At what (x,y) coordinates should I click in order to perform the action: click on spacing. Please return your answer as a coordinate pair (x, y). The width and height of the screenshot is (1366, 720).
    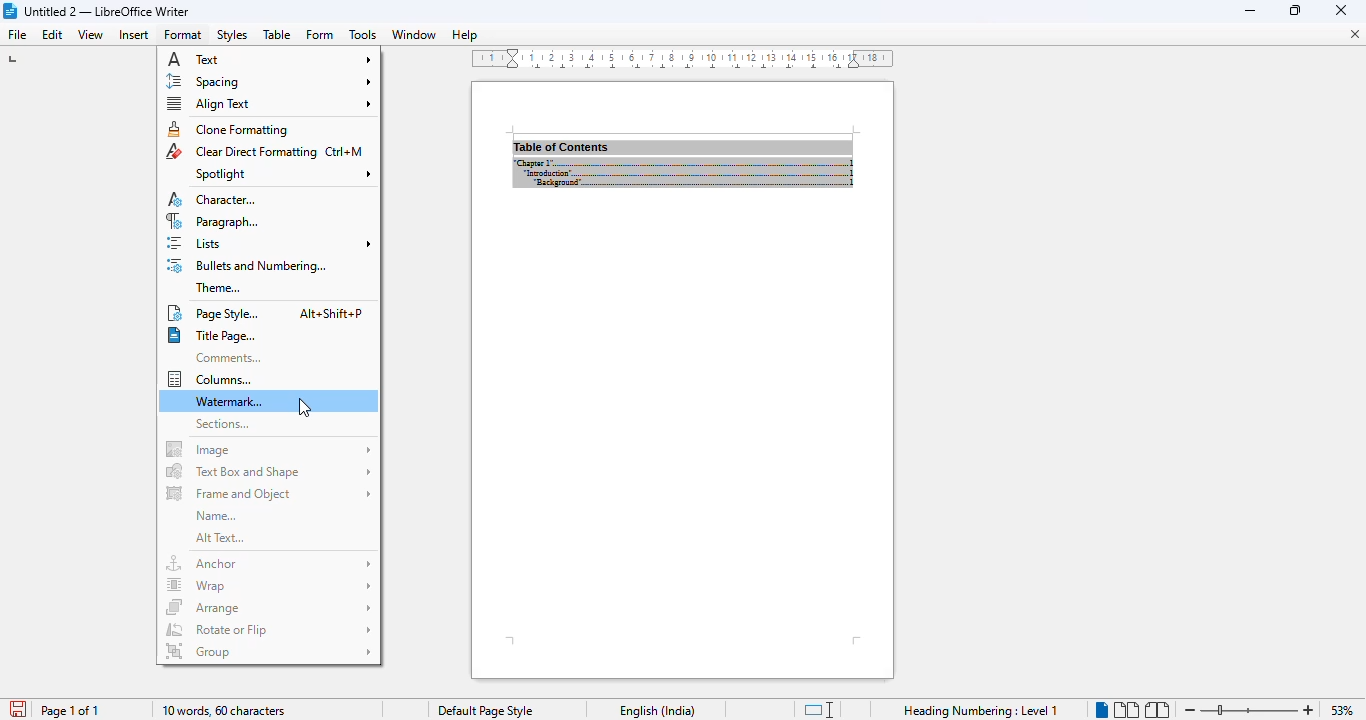
    Looking at the image, I should click on (270, 81).